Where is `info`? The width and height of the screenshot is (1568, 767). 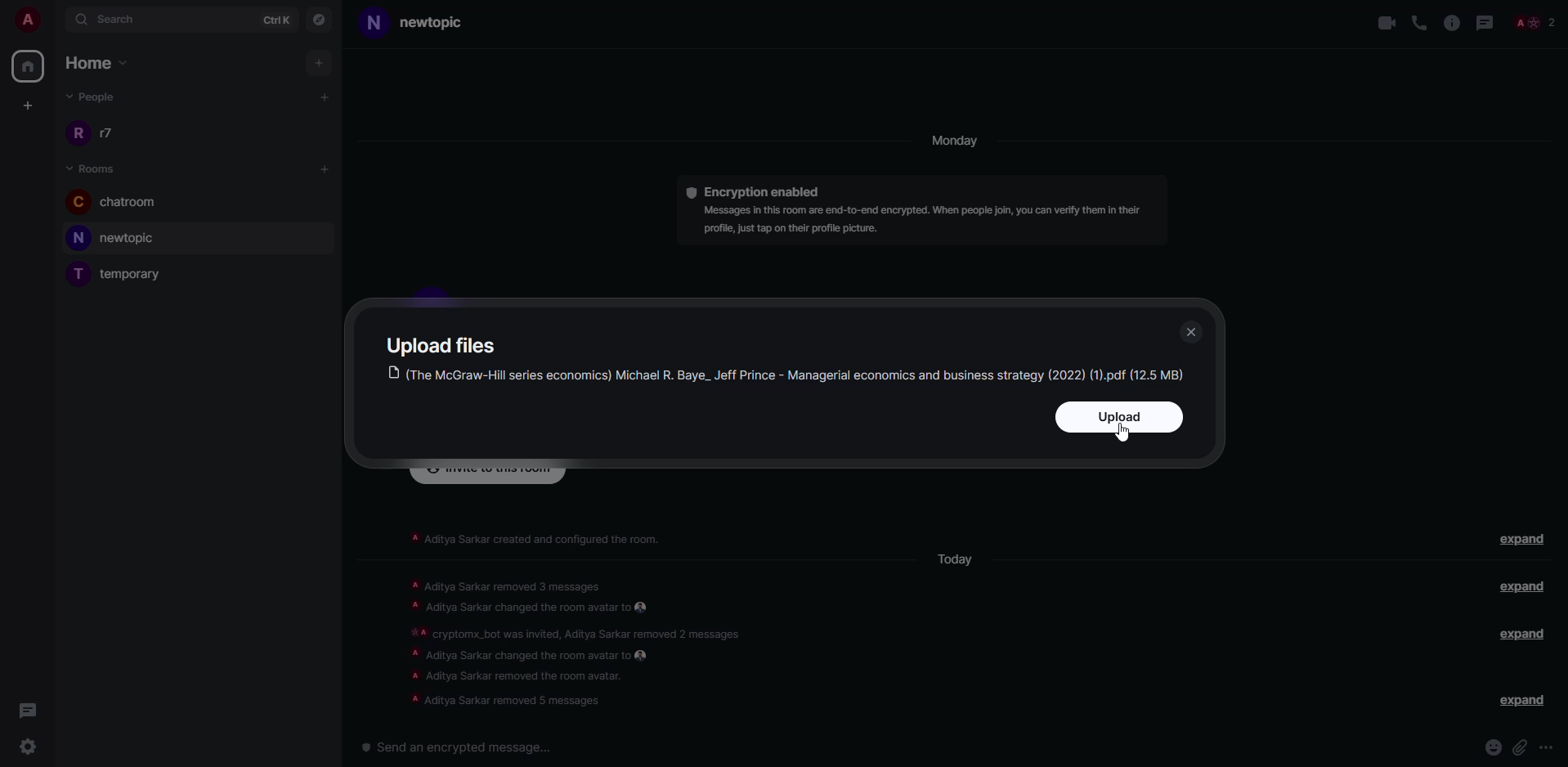
info is located at coordinates (1451, 22).